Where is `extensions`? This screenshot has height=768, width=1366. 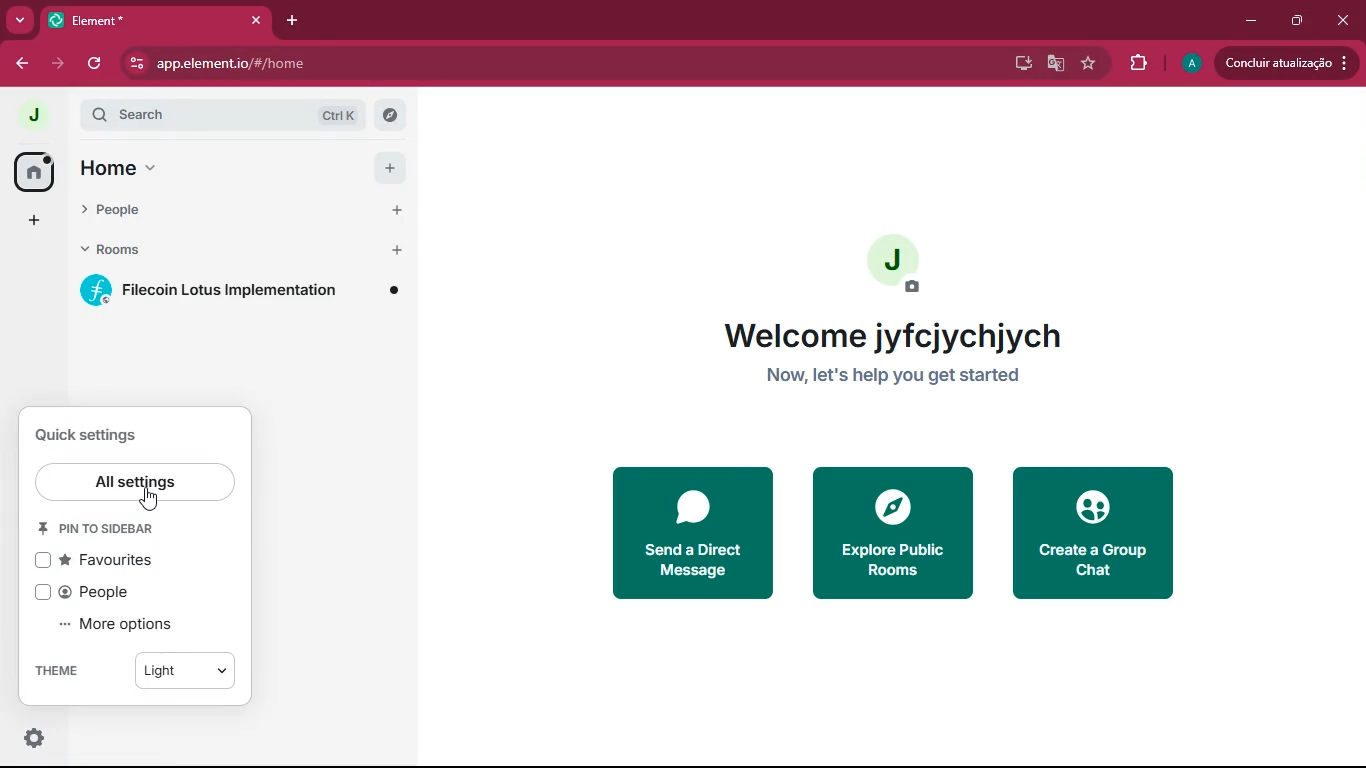
extensions is located at coordinates (1138, 63).